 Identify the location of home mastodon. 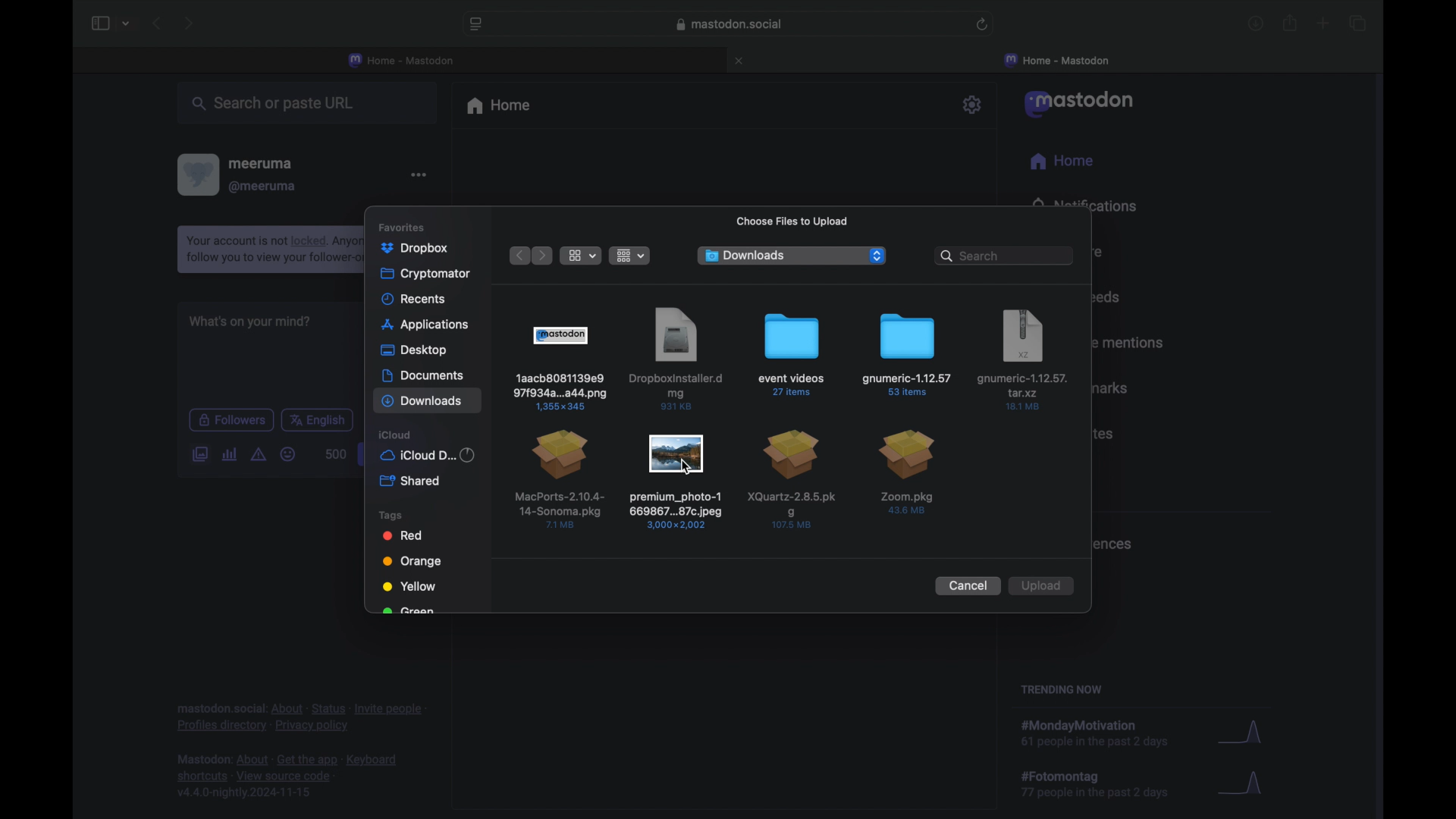
(1057, 60).